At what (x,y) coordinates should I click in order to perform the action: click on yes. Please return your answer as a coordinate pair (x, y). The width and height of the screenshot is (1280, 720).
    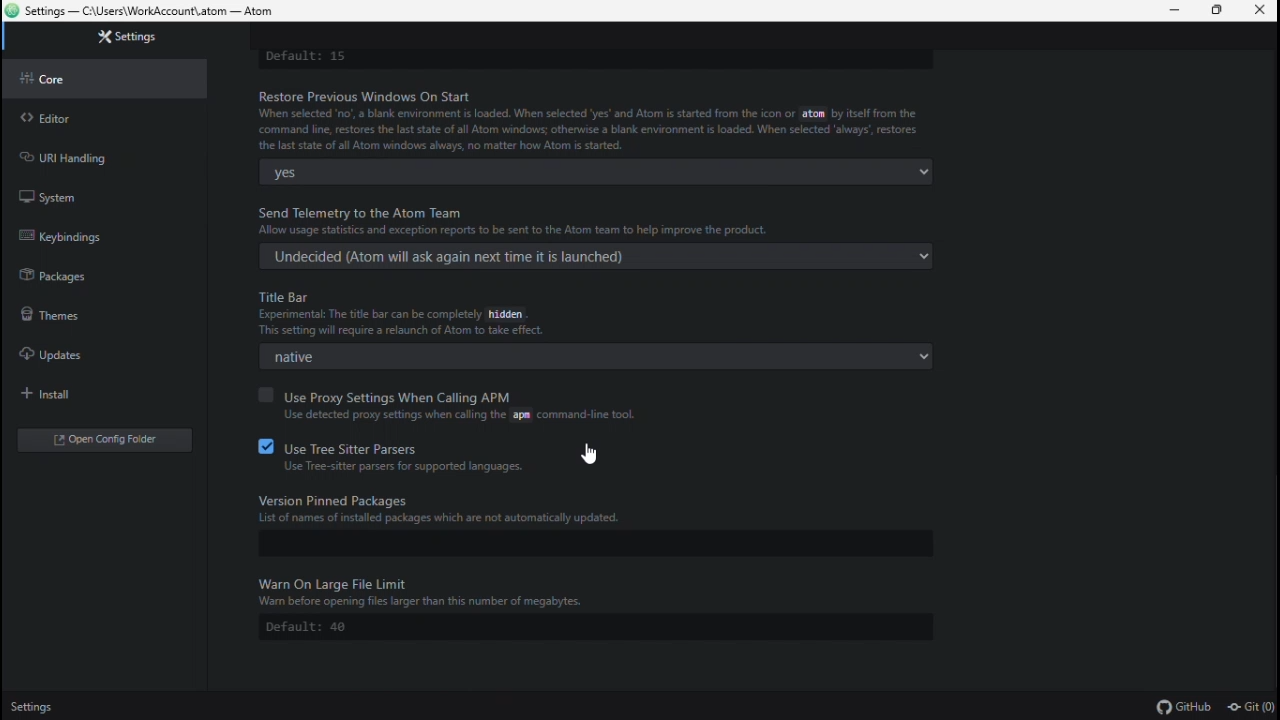
    Looking at the image, I should click on (591, 171).